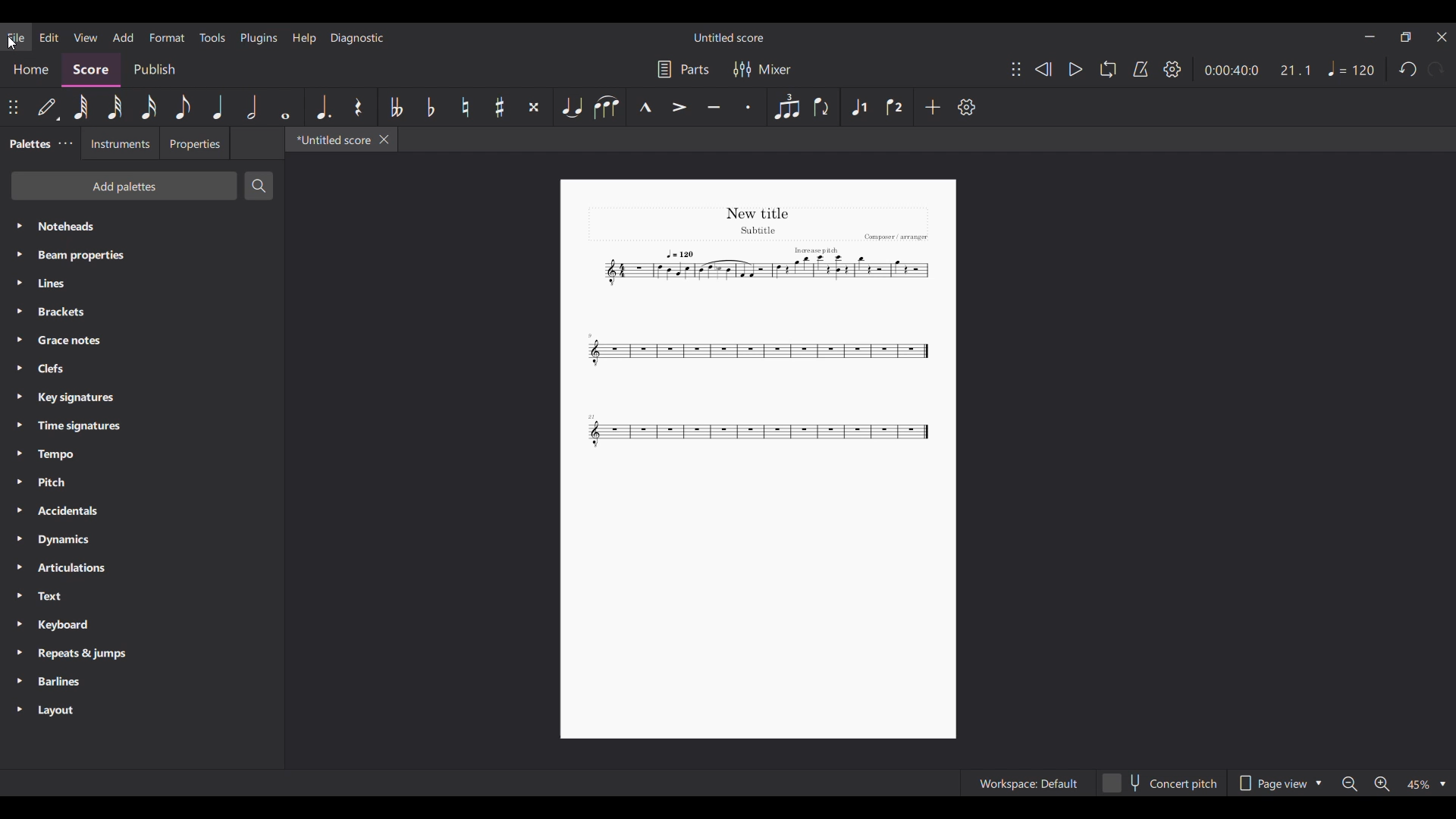 The height and width of the screenshot is (819, 1456). Describe the element at coordinates (124, 37) in the screenshot. I see `Add menu` at that location.